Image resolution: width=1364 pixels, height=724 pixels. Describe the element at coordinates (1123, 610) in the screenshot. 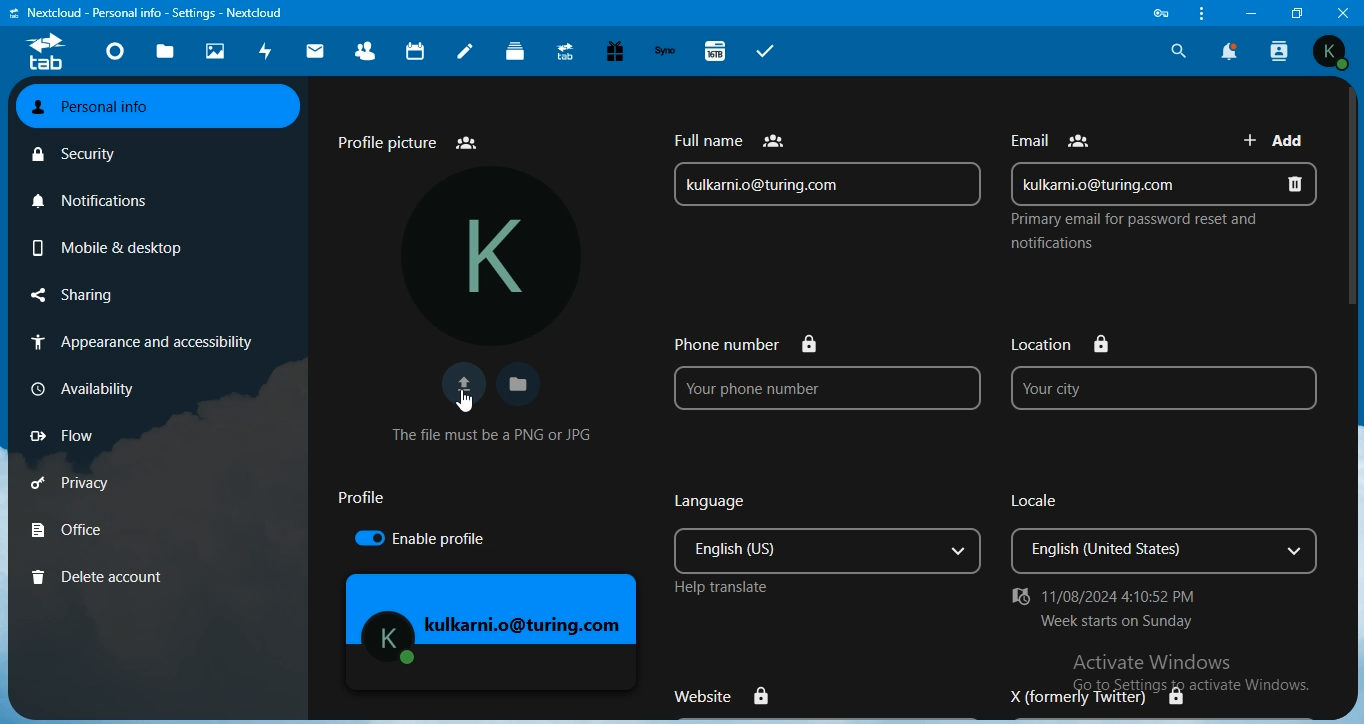

I see `text` at that location.